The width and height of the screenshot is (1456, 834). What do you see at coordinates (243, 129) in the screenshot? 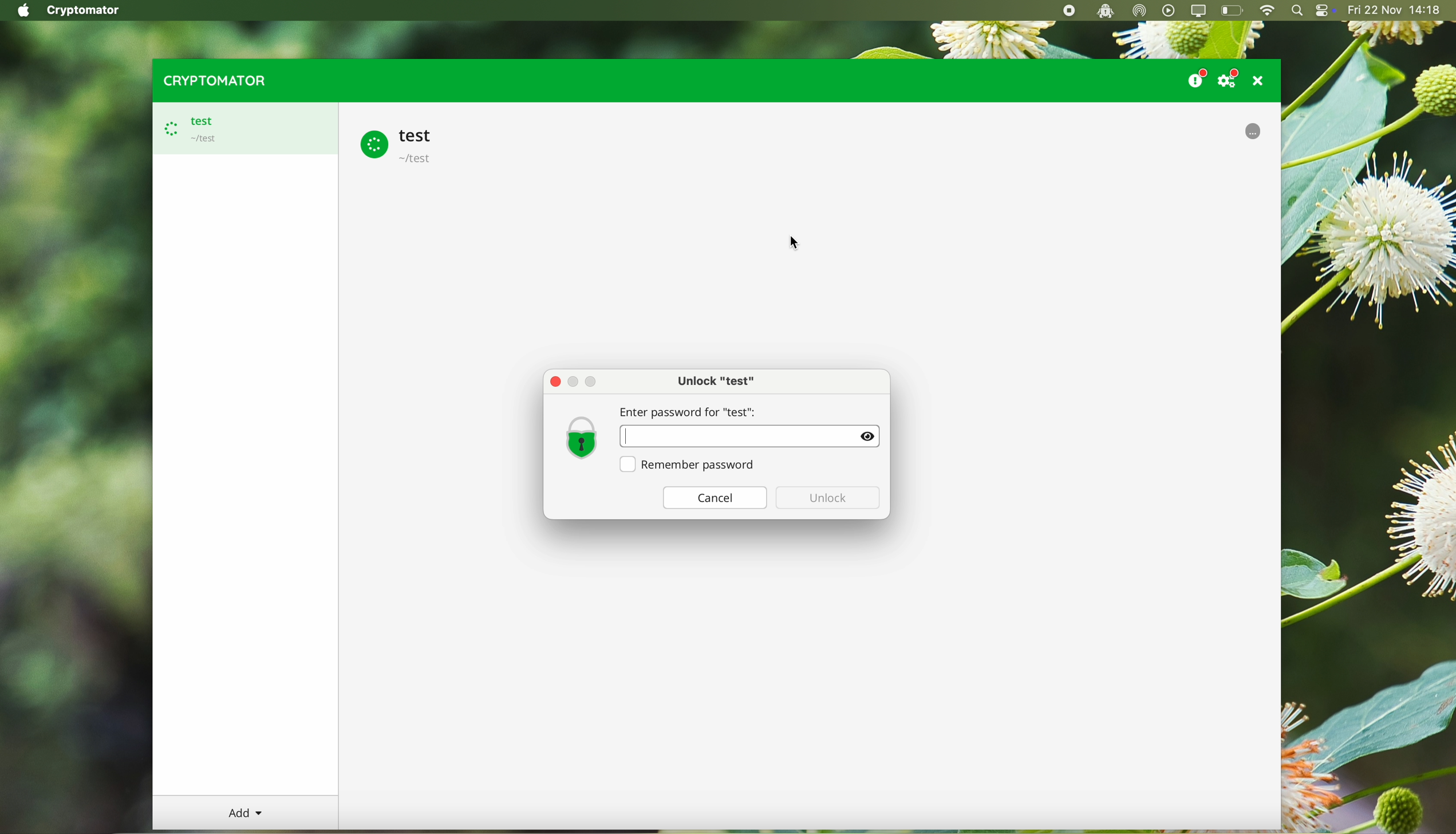
I see `test` at bounding box center [243, 129].